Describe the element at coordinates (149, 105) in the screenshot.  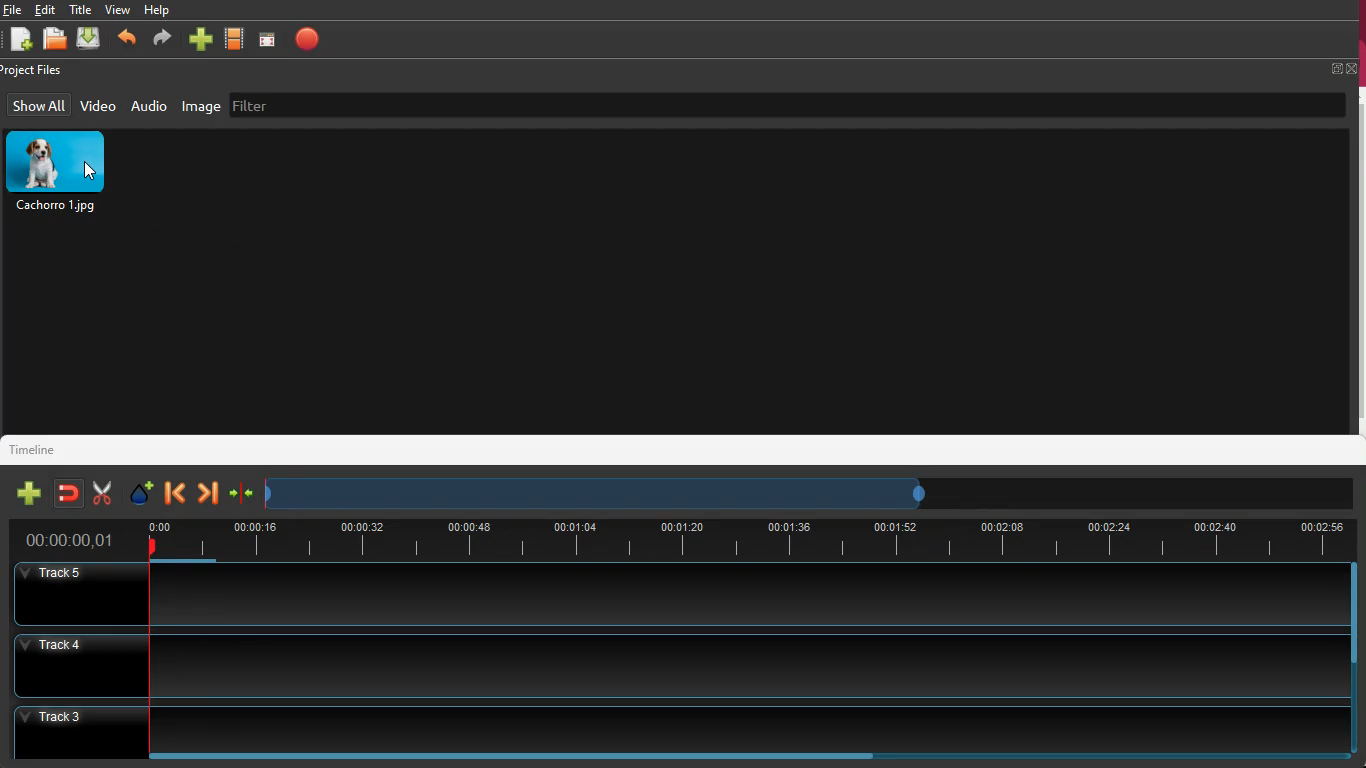
I see `audio` at that location.